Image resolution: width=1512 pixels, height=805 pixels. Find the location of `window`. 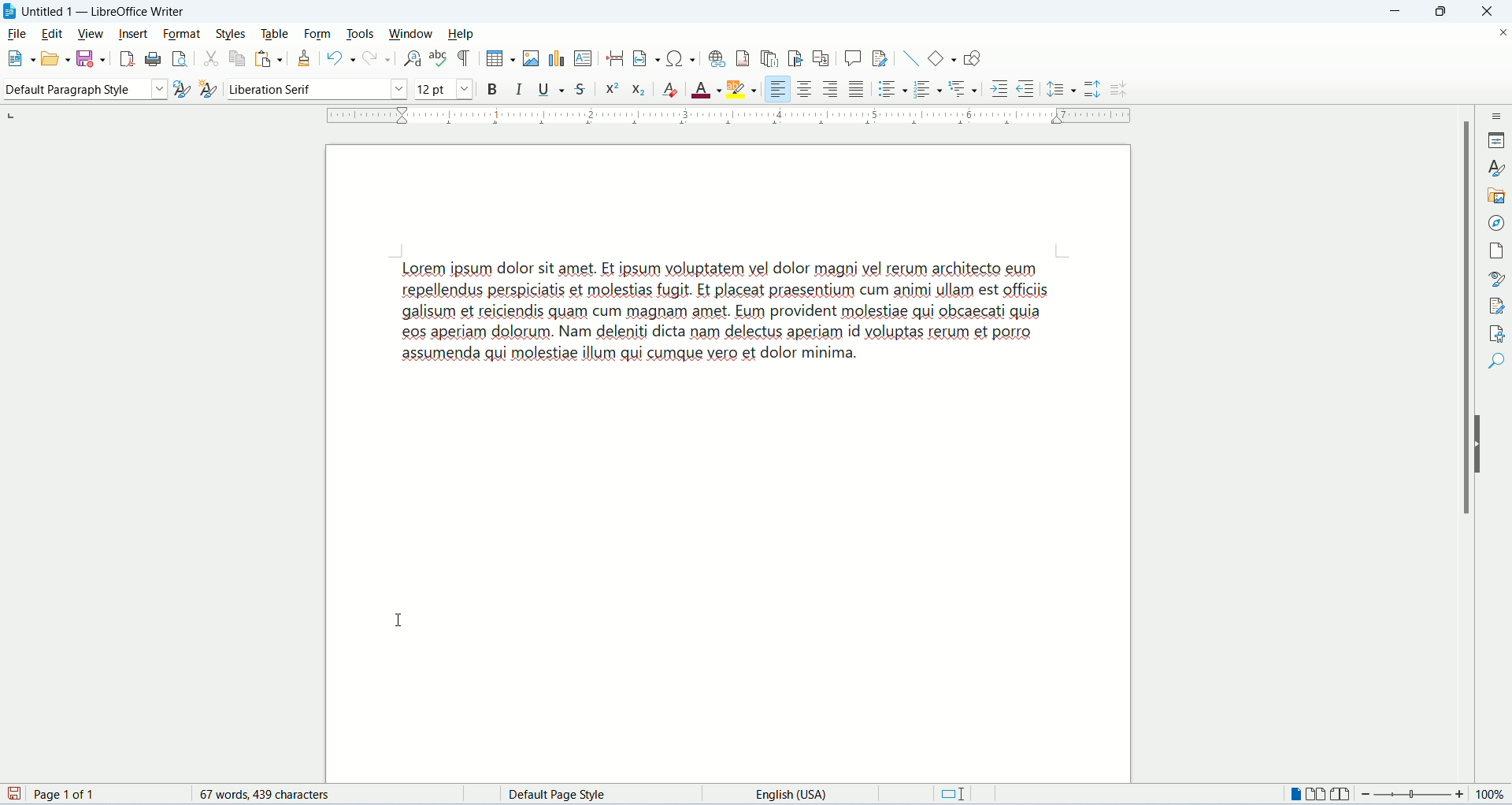

window is located at coordinates (411, 32).